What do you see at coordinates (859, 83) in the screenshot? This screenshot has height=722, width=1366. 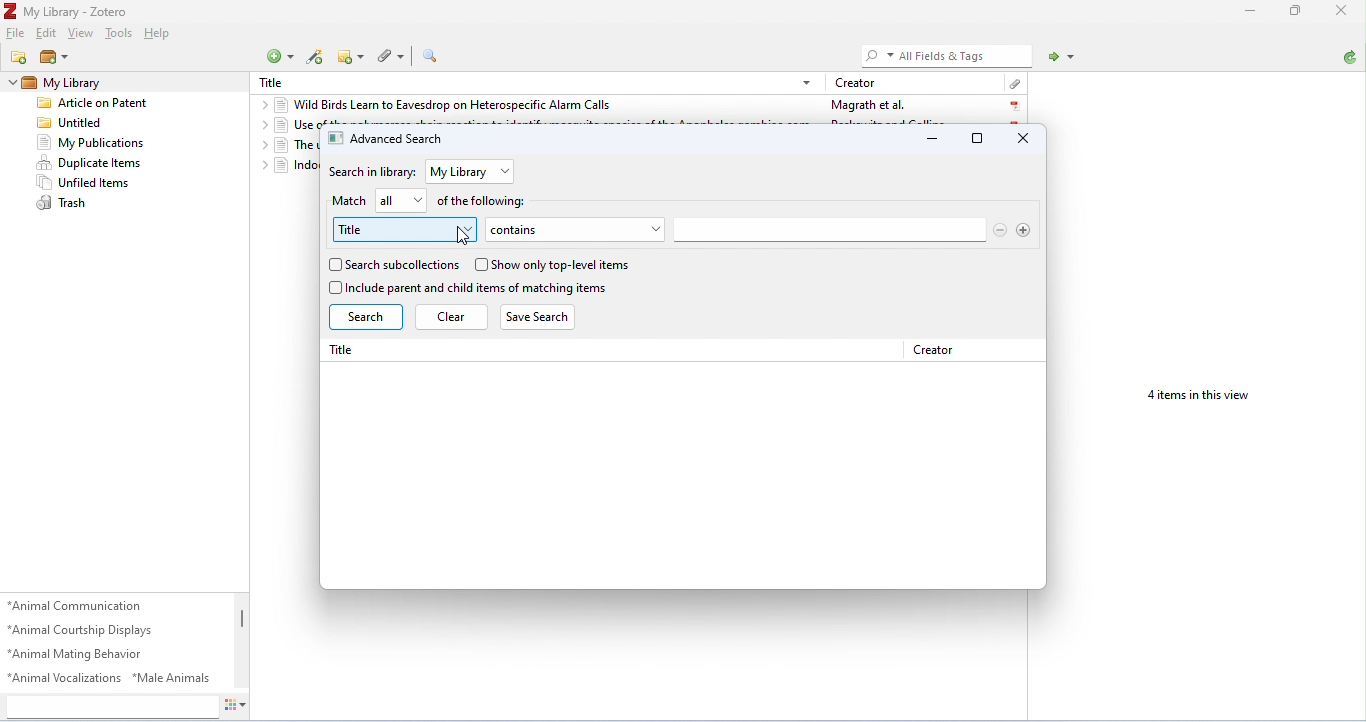 I see `creator` at bounding box center [859, 83].